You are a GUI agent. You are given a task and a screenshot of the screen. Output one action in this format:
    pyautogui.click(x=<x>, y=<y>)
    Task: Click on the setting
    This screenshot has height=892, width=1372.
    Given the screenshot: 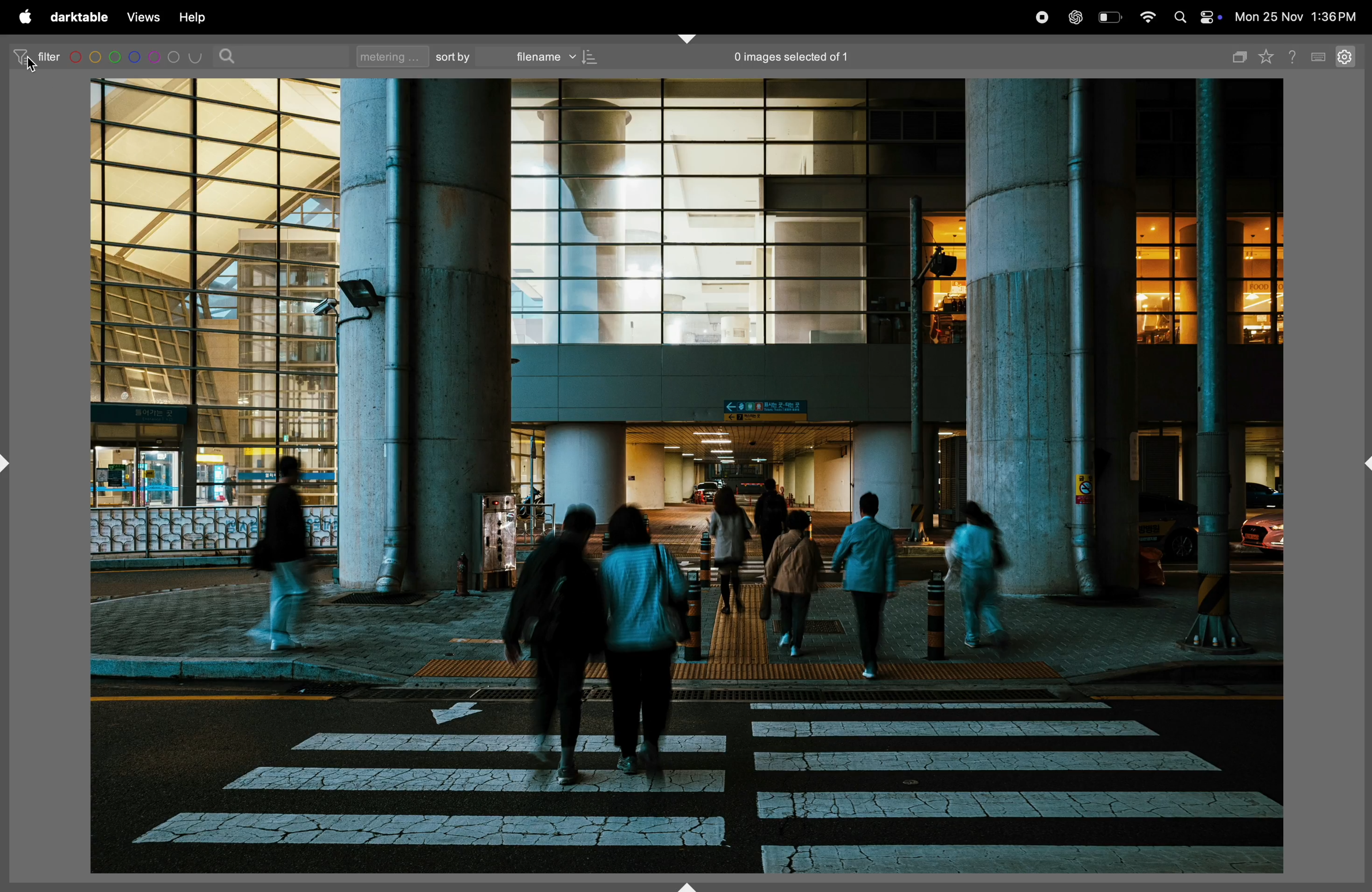 What is the action you would take?
    pyautogui.click(x=1348, y=58)
    